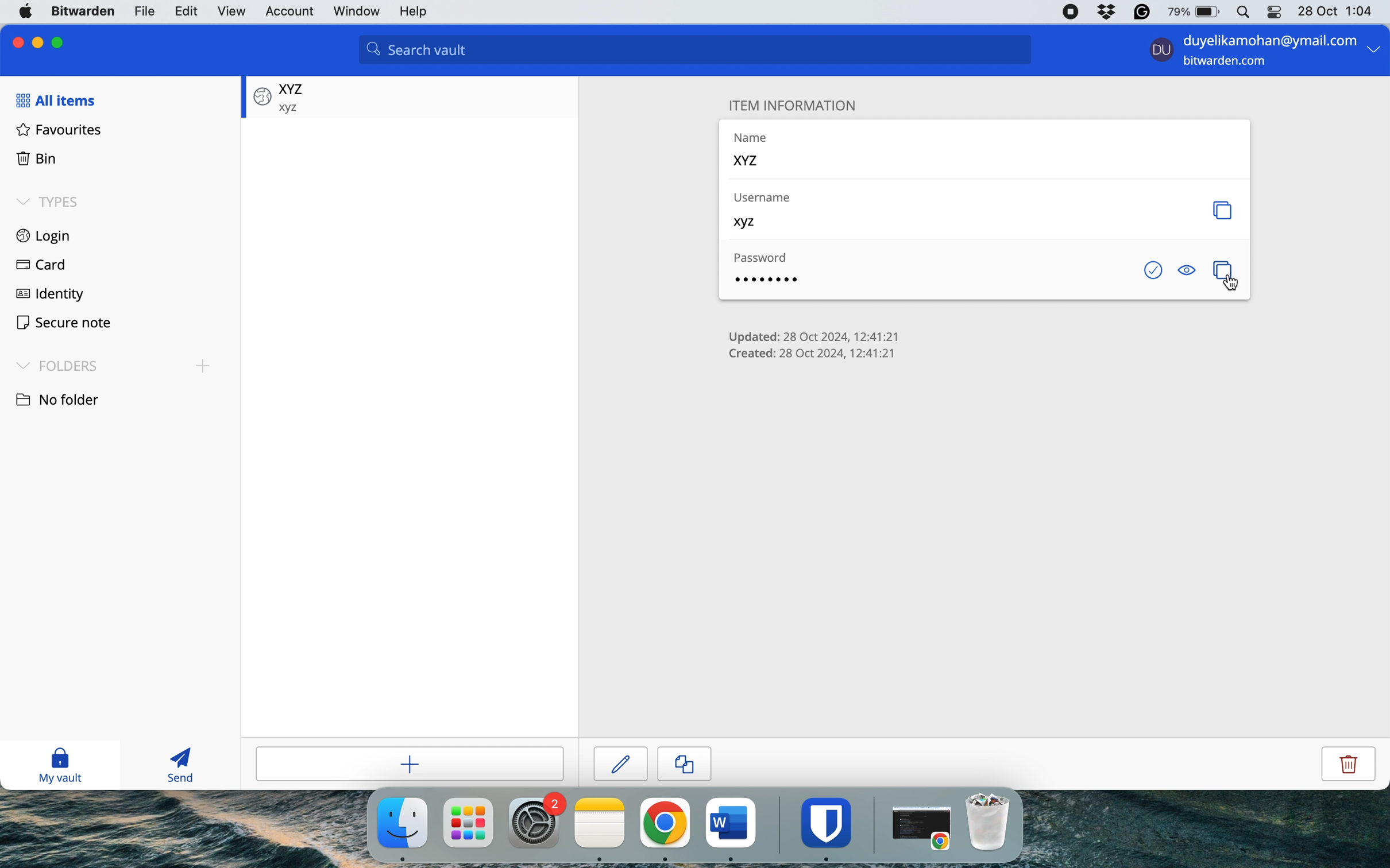 This screenshot has width=1390, height=868. What do you see at coordinates (40, 263) in the screenshot?
I see `card` at bounding box center [40, 263].